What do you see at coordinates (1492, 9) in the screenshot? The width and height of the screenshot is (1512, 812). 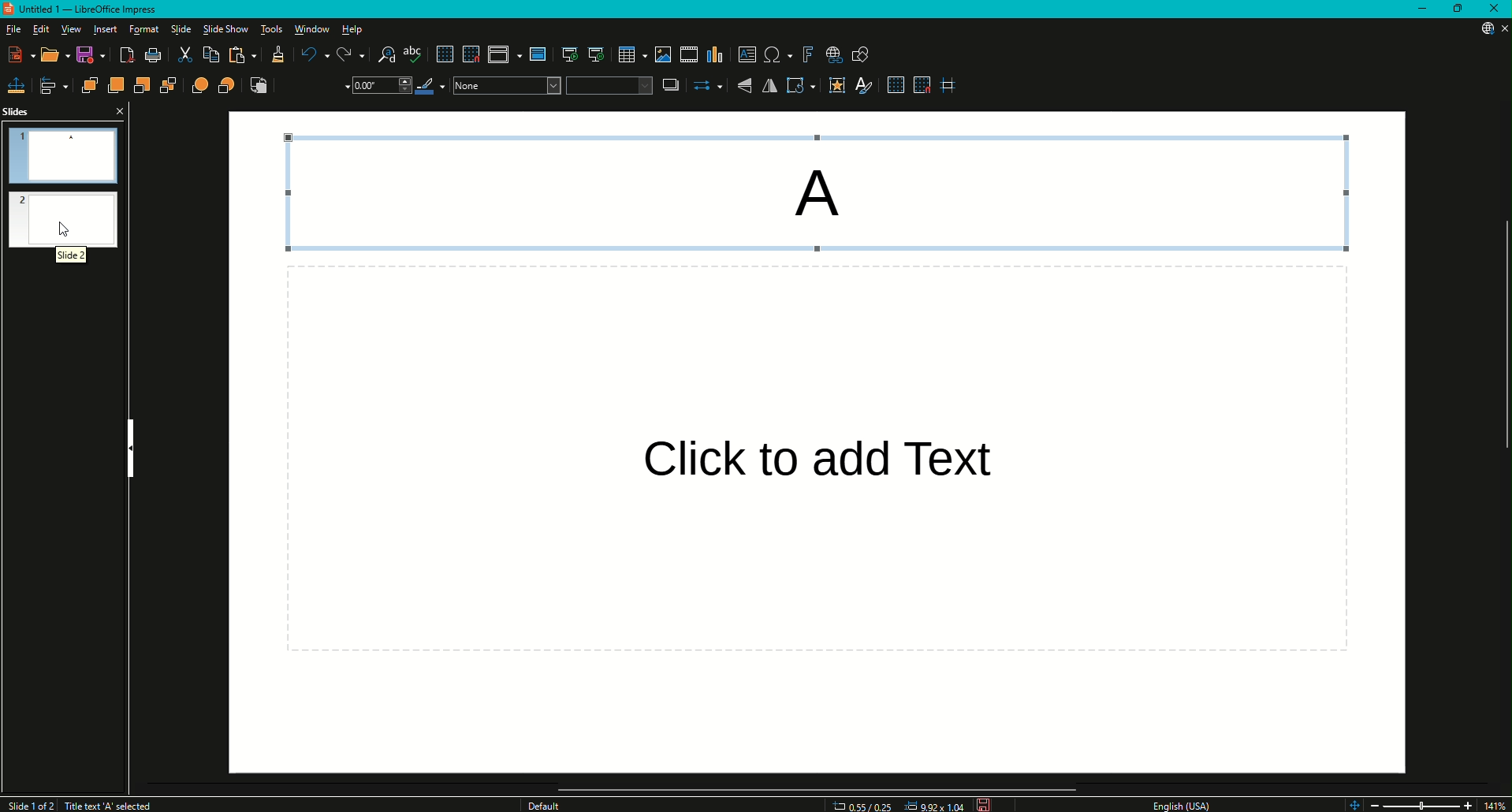 I see `Close` at bounding box center [1492, 9].